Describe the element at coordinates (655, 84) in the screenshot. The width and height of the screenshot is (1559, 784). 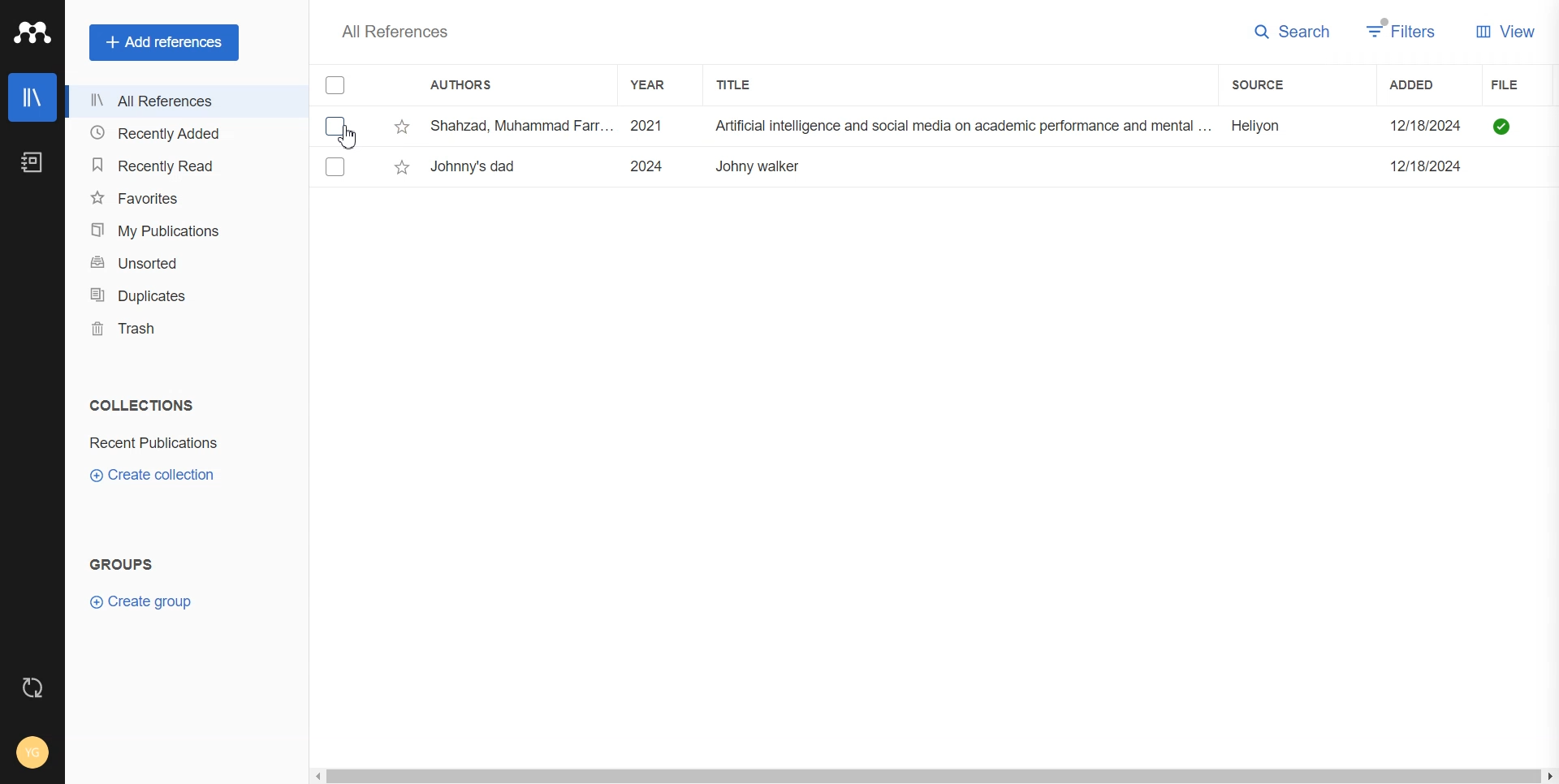
I see `Year` at that location.